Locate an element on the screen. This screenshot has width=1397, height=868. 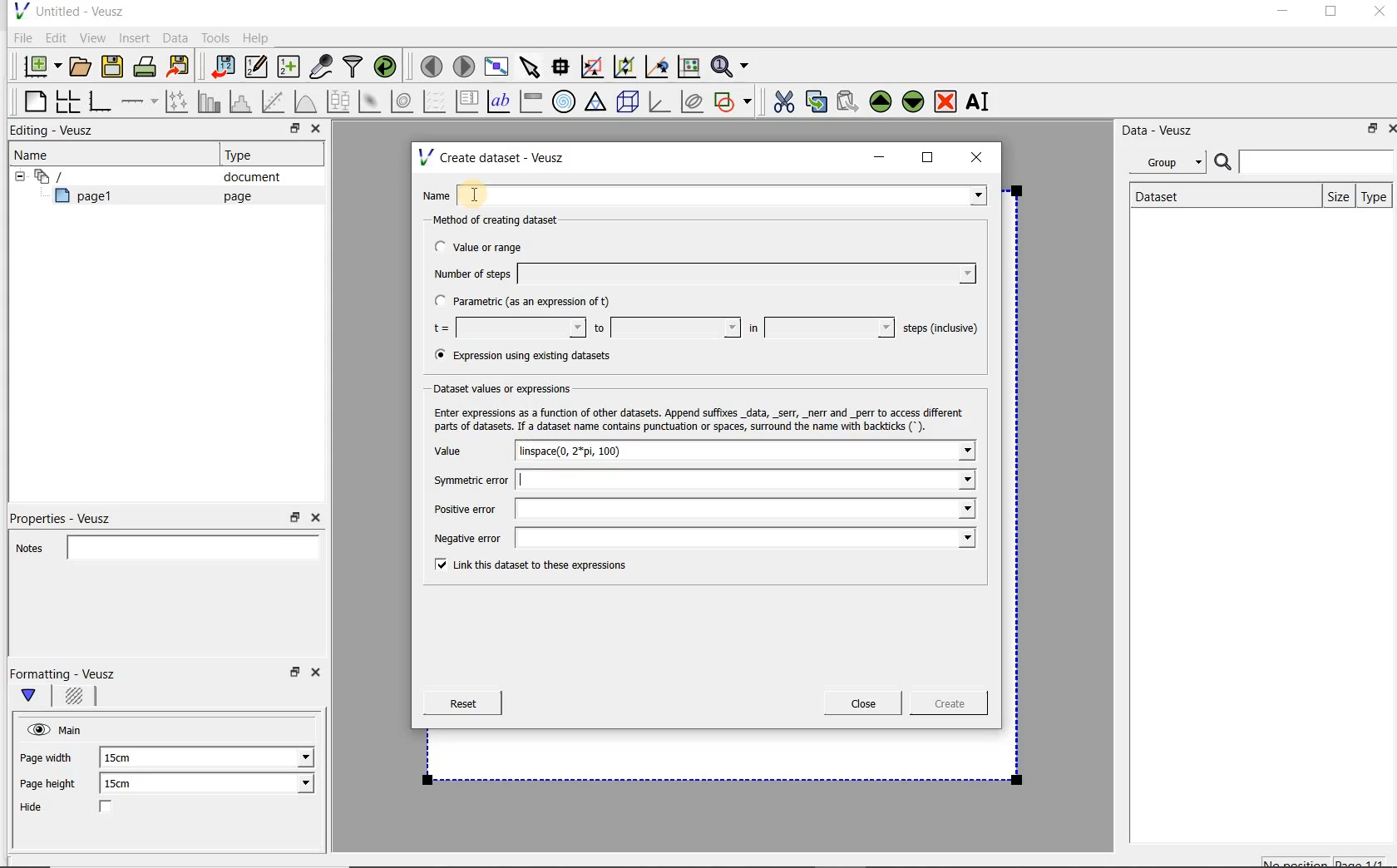
document is located at coordinates (245, 177).